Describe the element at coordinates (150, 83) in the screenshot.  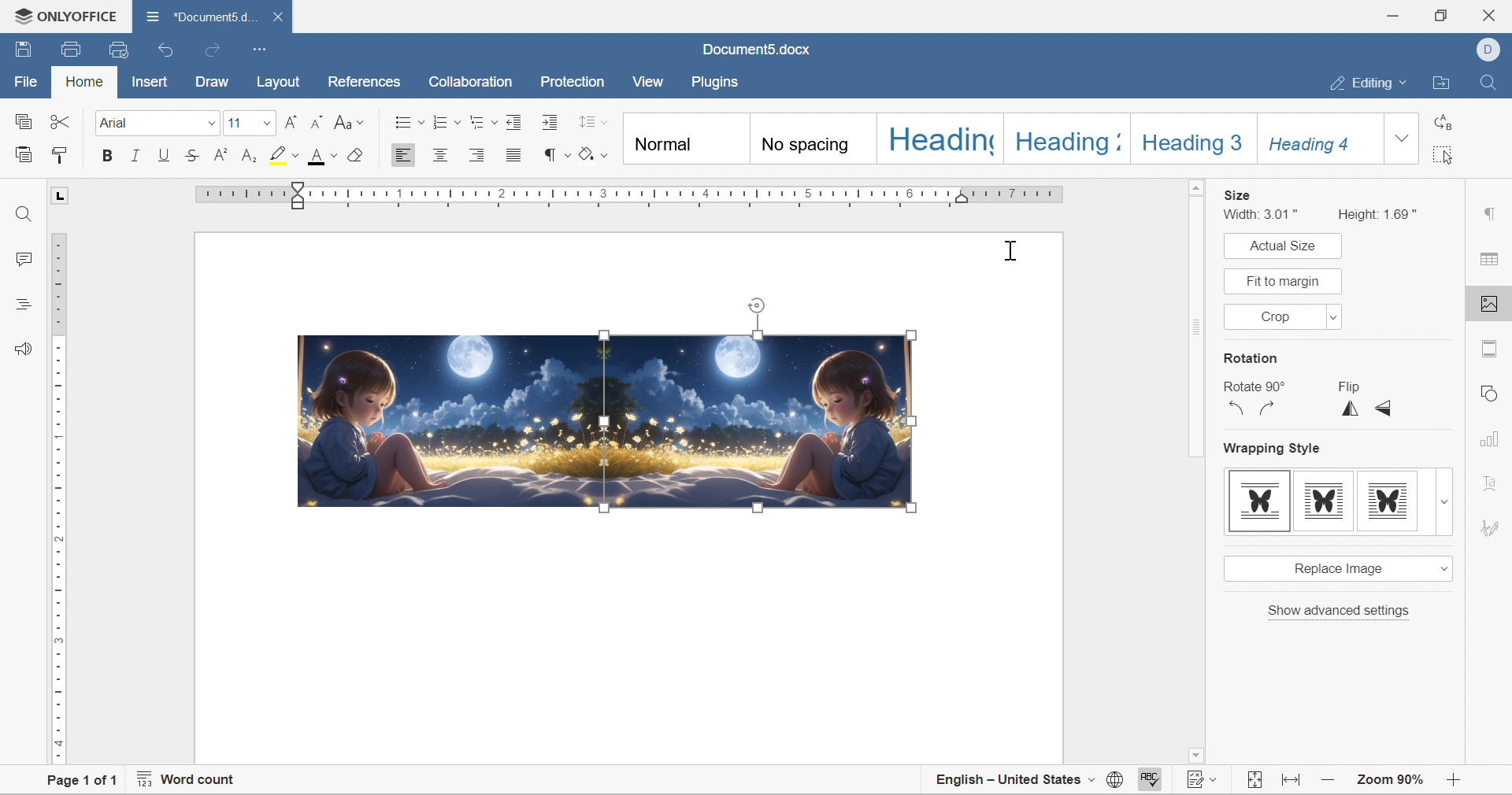
I see `insert` at that location.